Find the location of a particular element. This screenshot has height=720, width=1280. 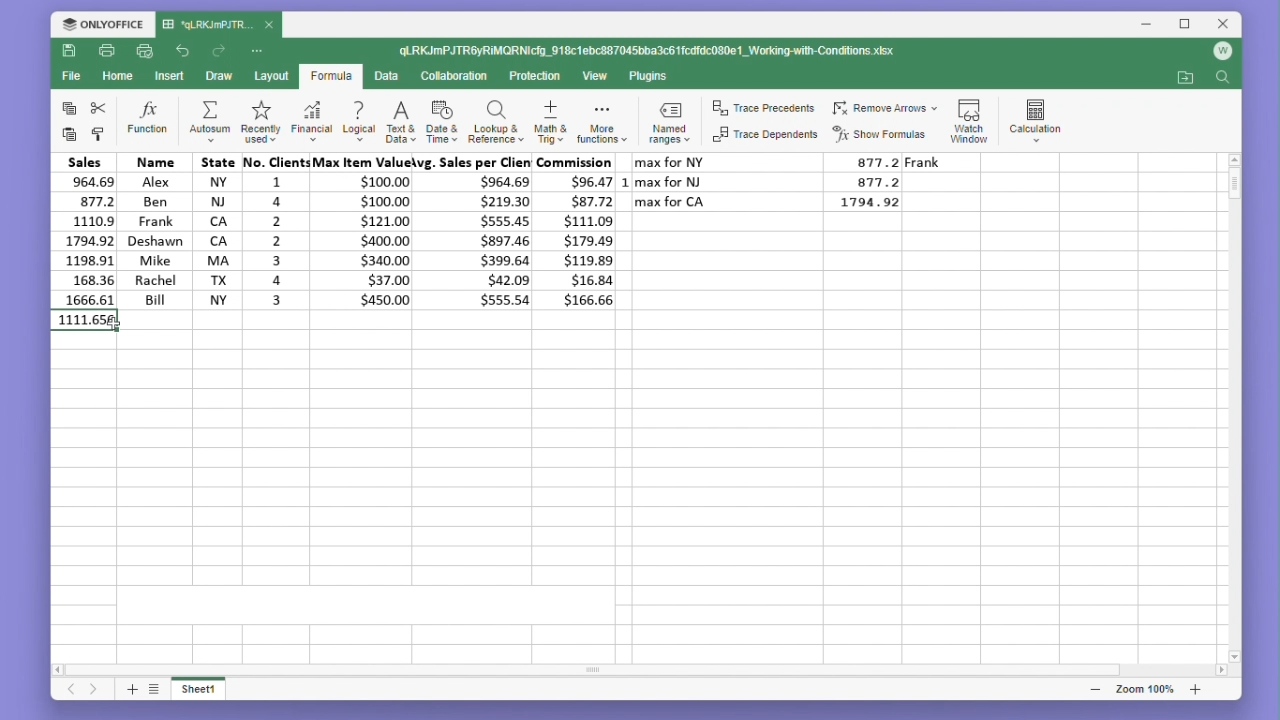

Minimise is located at coordinates (1147, 25).